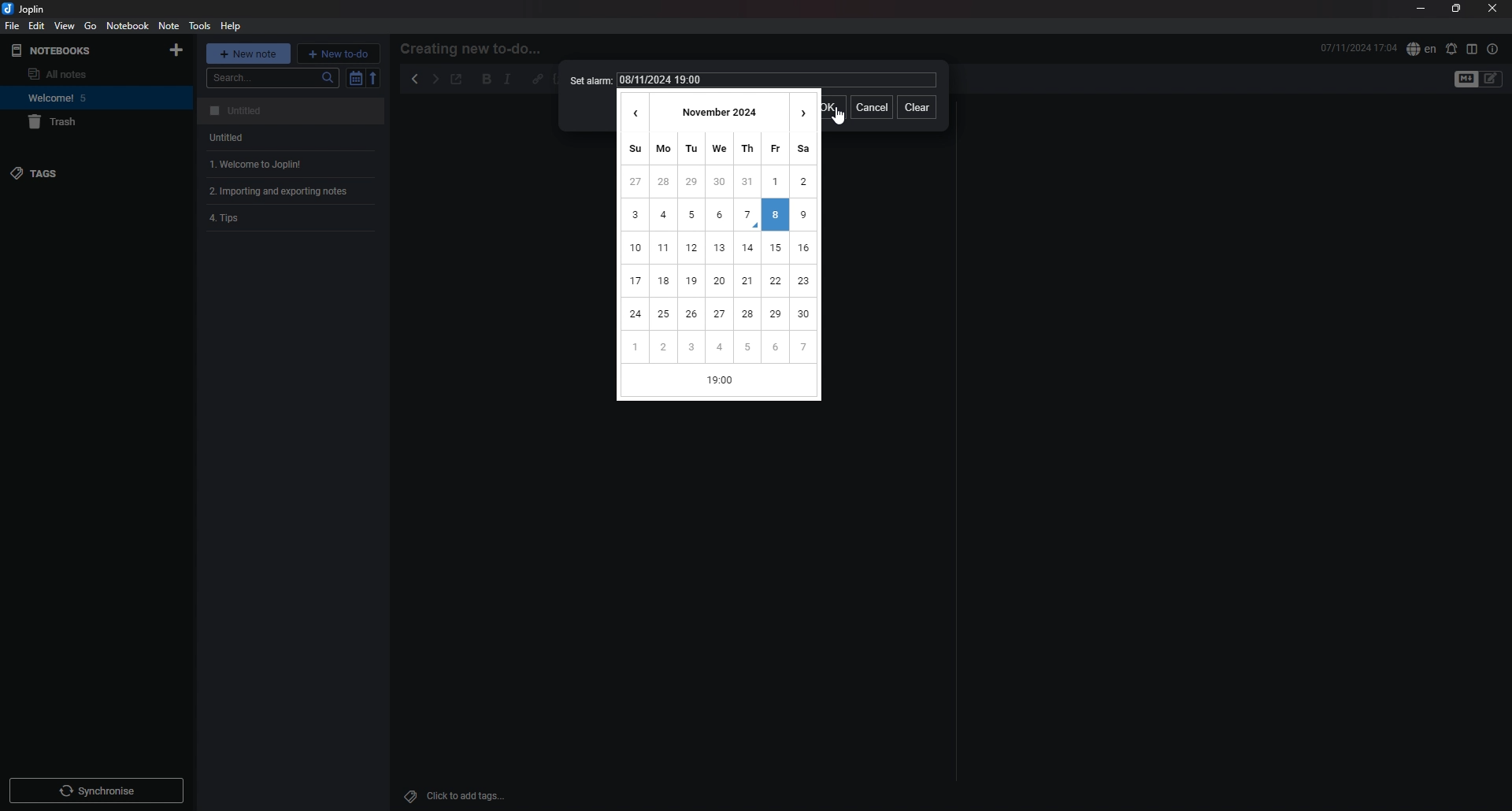 This screenshot has height=811, width=1512. I want to click on note, so click(291, 191).